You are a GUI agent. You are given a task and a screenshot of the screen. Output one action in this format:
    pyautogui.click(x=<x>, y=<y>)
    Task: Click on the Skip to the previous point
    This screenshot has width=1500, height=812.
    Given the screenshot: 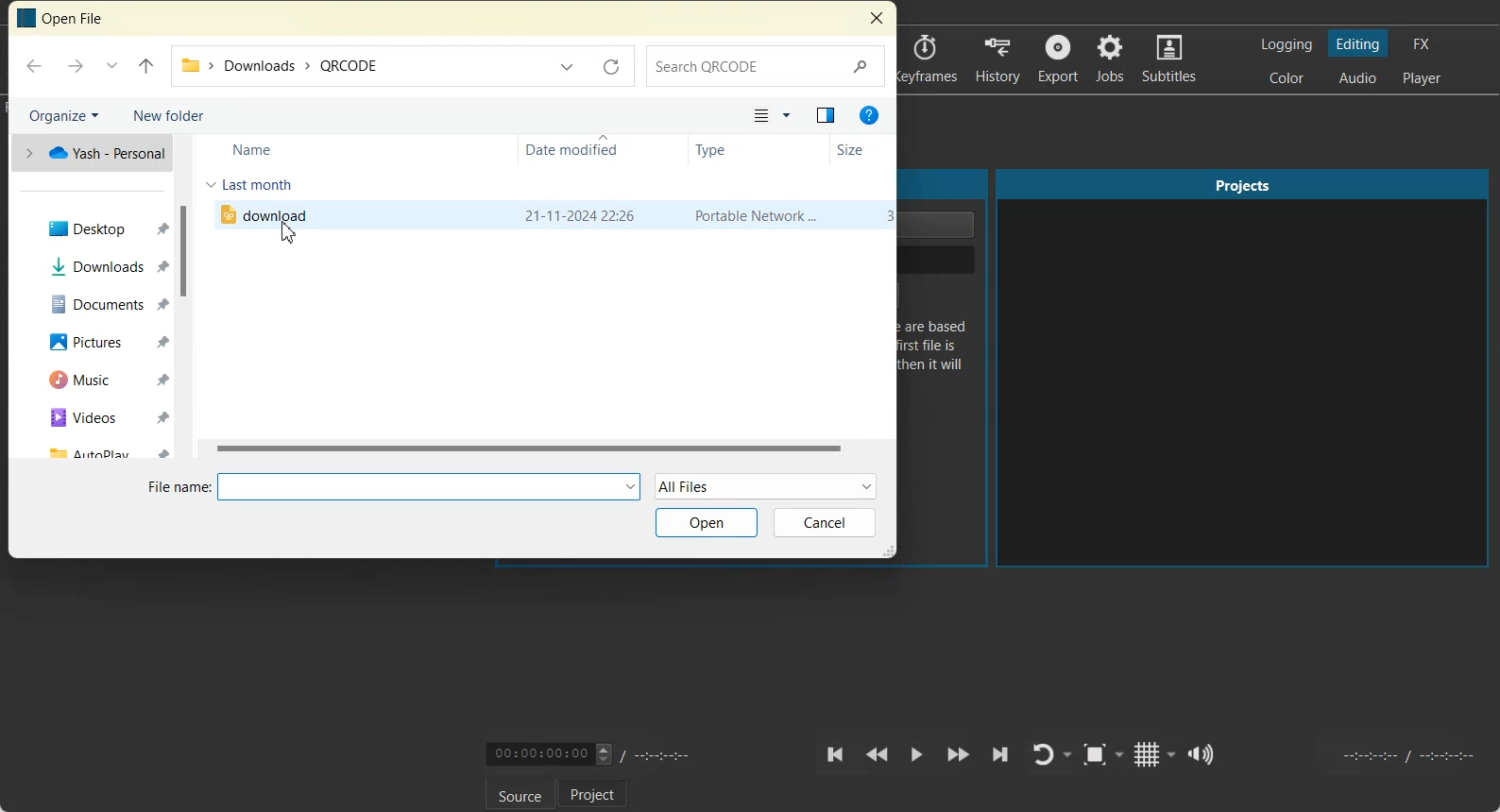 What is the action you would take?
    pyautogui.click(x=836, y=754)
    